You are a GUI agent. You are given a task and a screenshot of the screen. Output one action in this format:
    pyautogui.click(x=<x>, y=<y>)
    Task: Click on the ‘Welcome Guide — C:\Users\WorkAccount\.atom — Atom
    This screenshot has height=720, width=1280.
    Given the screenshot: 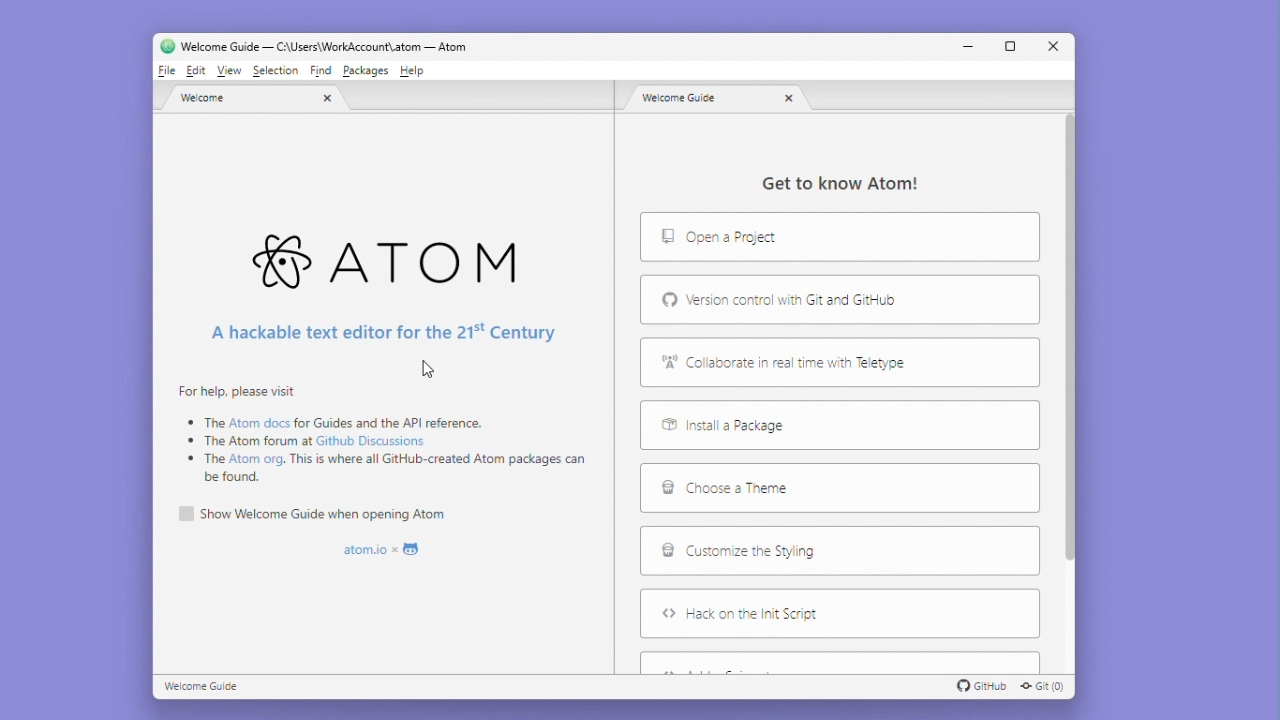 What is the action you would take?
    pyautogui.click(x=317, y=45)
    